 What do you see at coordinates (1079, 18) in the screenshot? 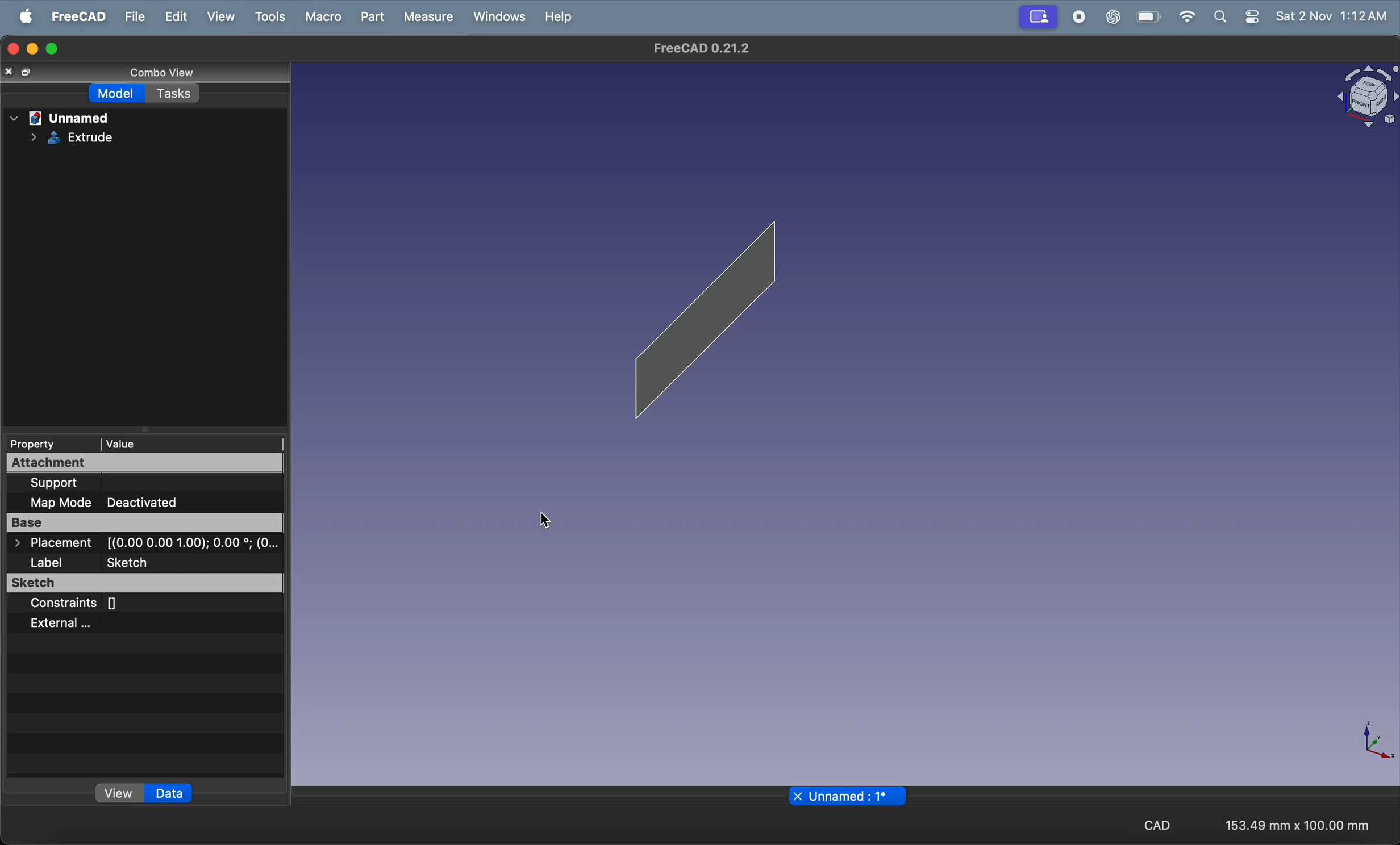
I see `record` at bounding box center [1079, 18].